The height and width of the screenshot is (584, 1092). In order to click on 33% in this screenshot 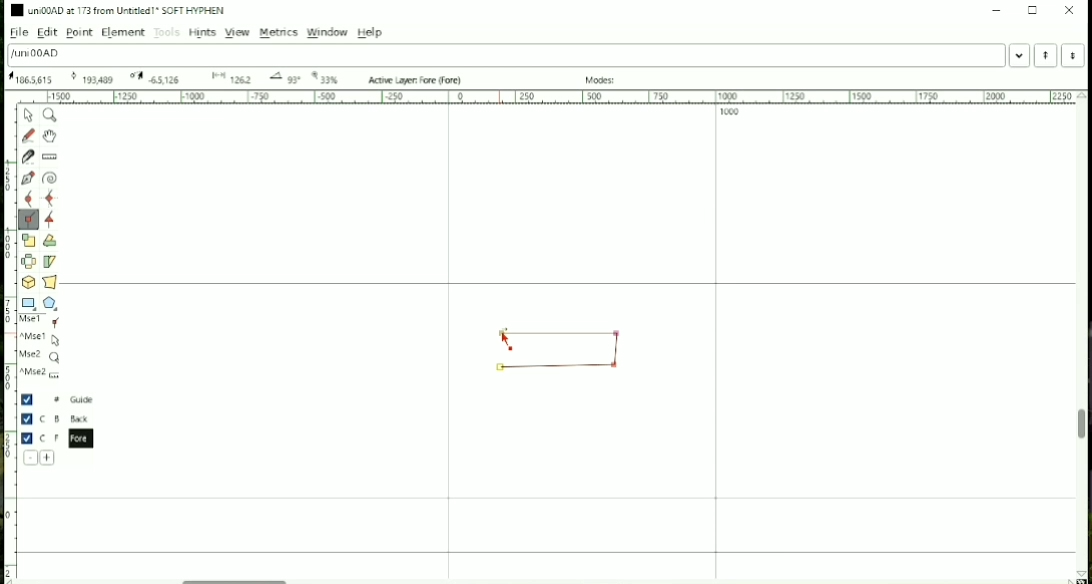, I will do `click(328, 77)`.